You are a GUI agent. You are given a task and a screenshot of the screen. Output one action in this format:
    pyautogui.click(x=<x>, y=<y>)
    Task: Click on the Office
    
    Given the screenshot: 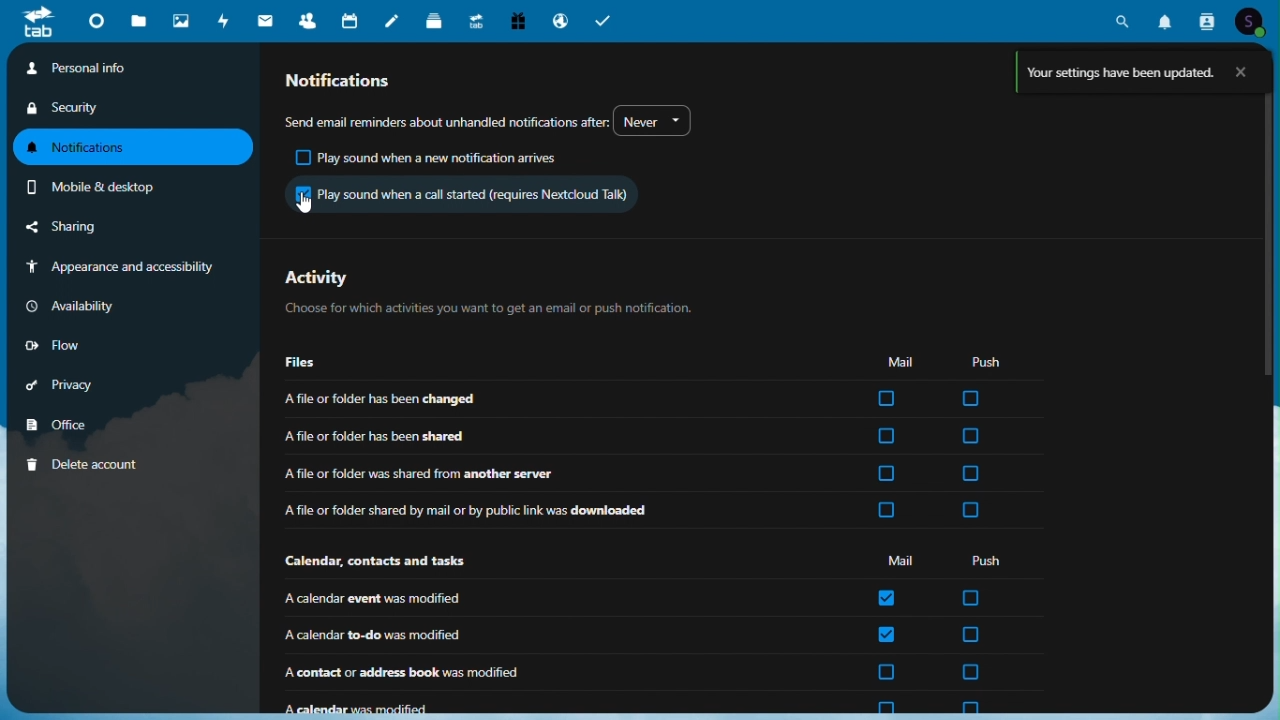 What is the action you would take?
    pyautogui.click(x=64, y=422)
    